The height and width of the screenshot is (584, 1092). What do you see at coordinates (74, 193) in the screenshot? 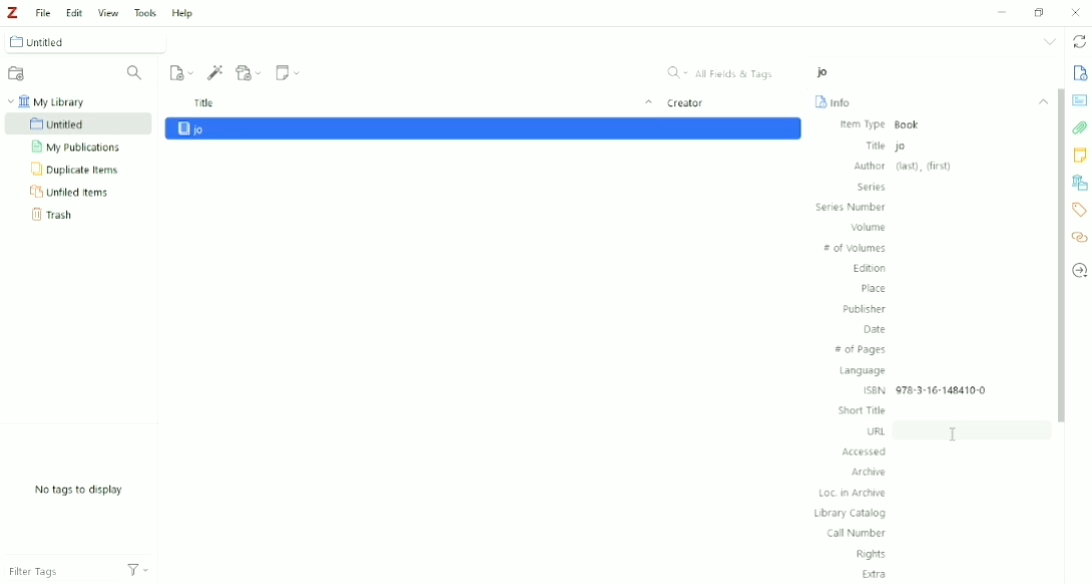
I see `Unfiled Items` at bounding box center [74, 193].